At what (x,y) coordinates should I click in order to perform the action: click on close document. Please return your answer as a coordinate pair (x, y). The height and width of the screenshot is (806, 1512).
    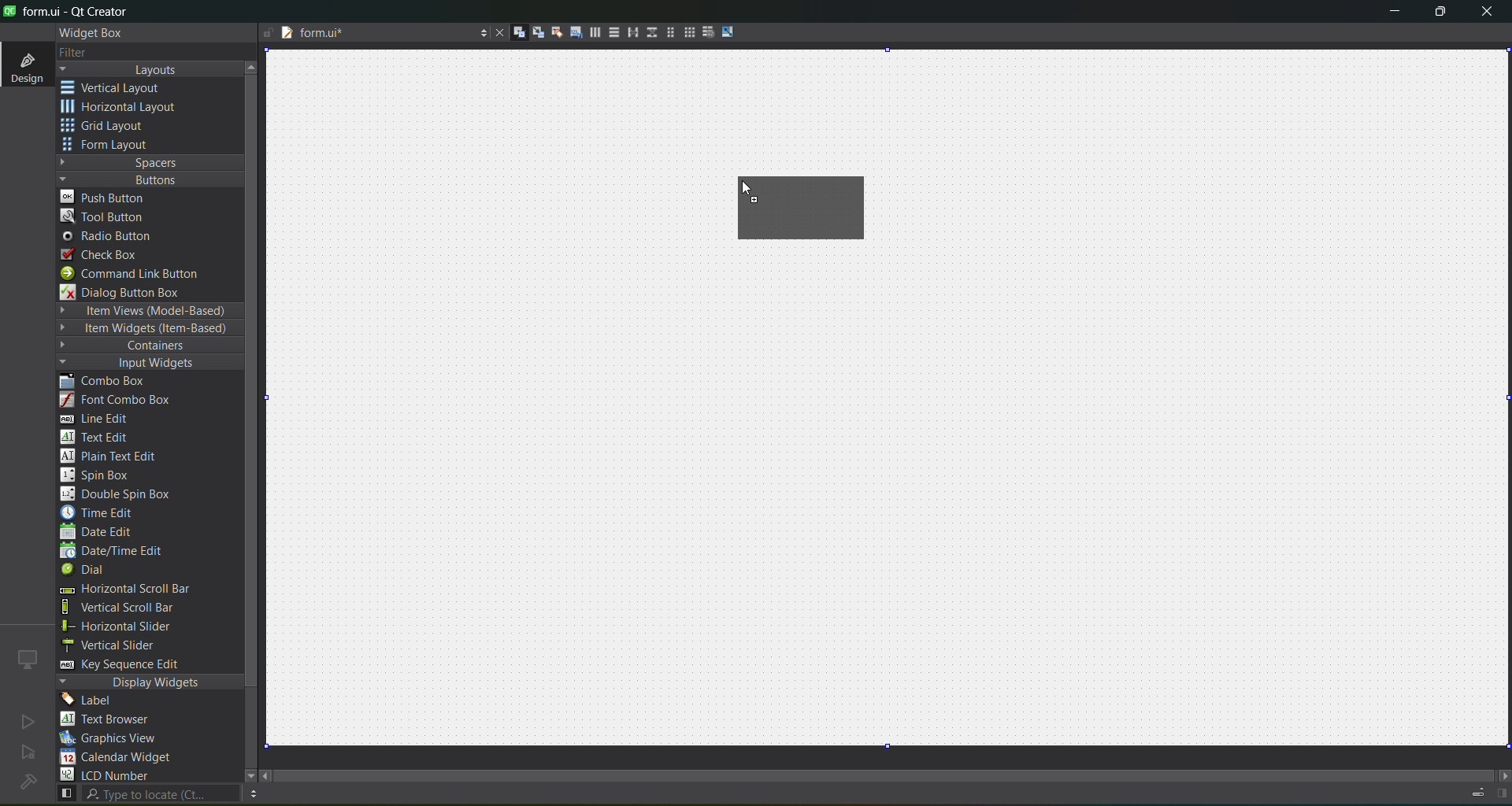
    Looking at the image, I should click on (496, 34).